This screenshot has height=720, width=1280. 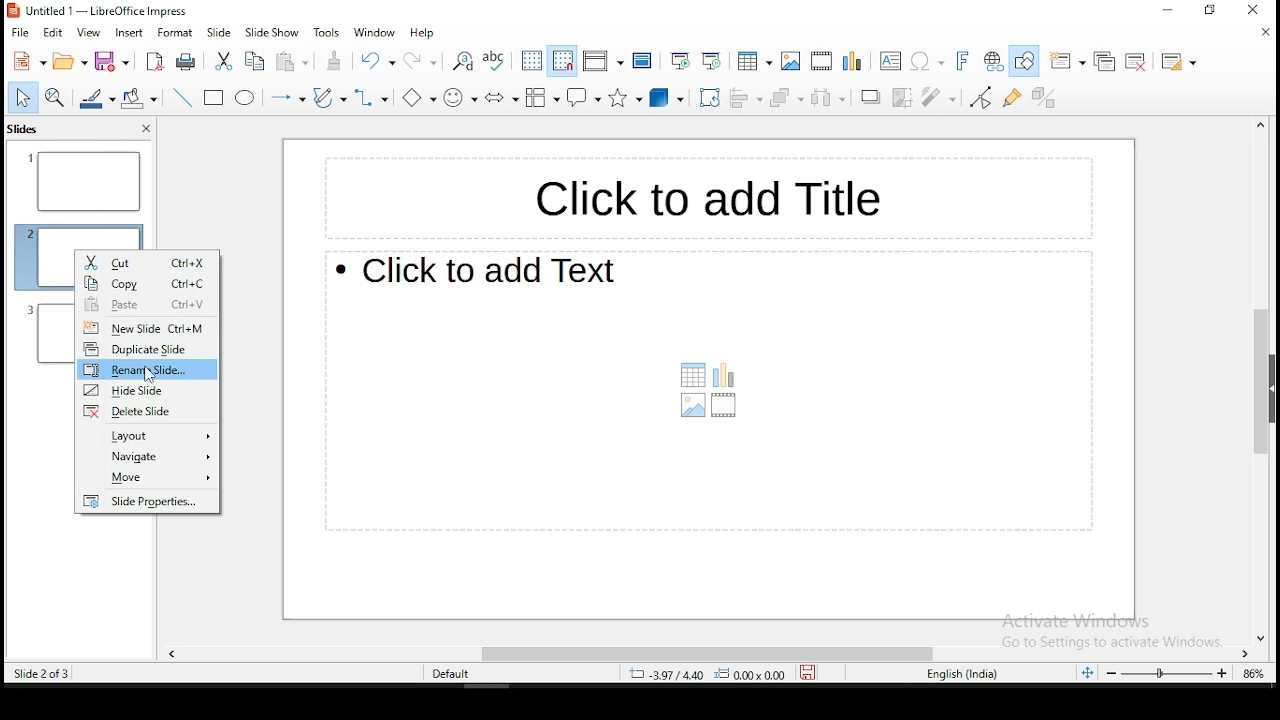 What do you see at coordinates (934, 94) in the screenshot?
I see `filter` at bounding box center [934, 94].